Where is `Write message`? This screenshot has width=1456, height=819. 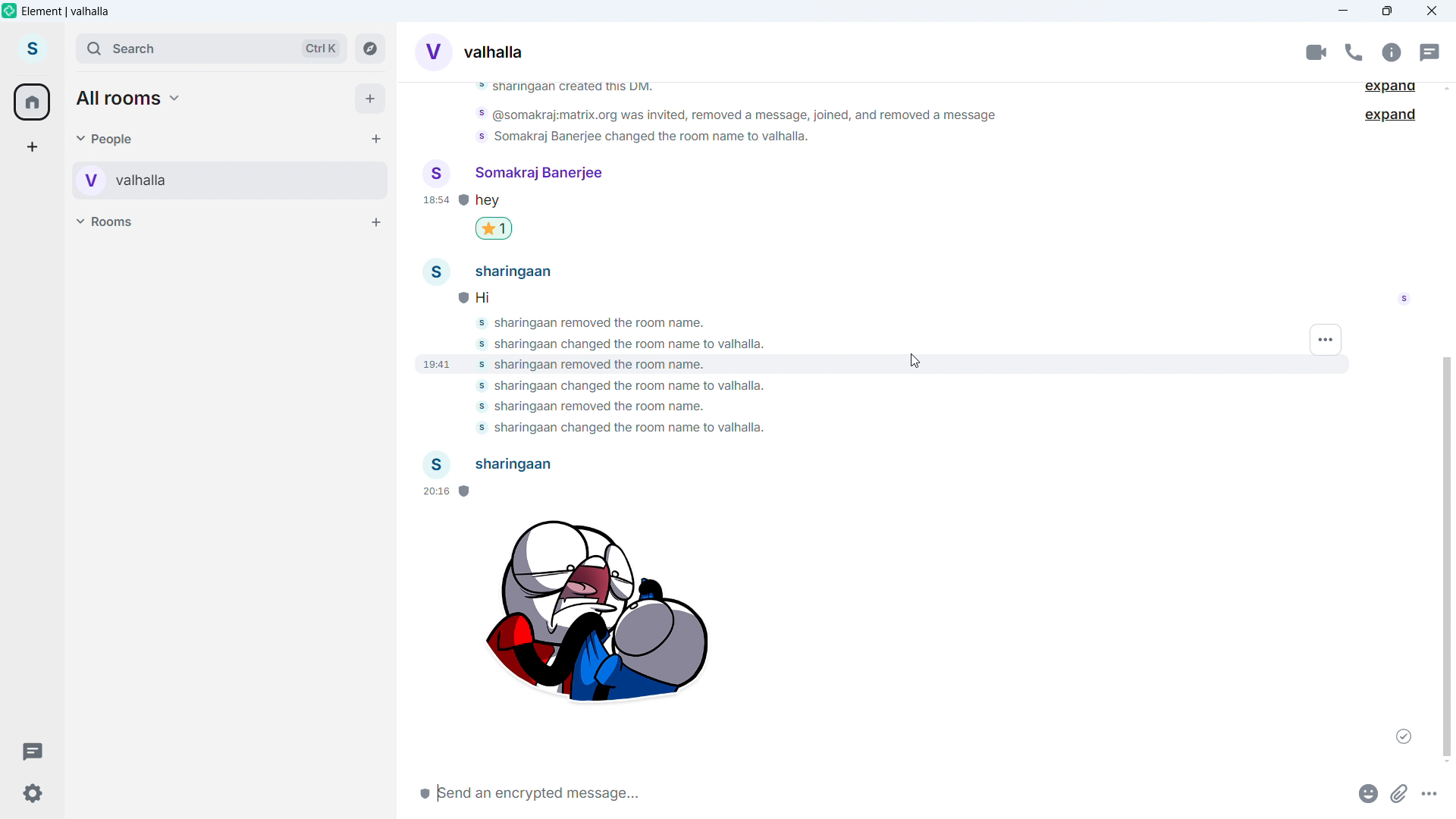 Write message is located at coordinates (636, 792).